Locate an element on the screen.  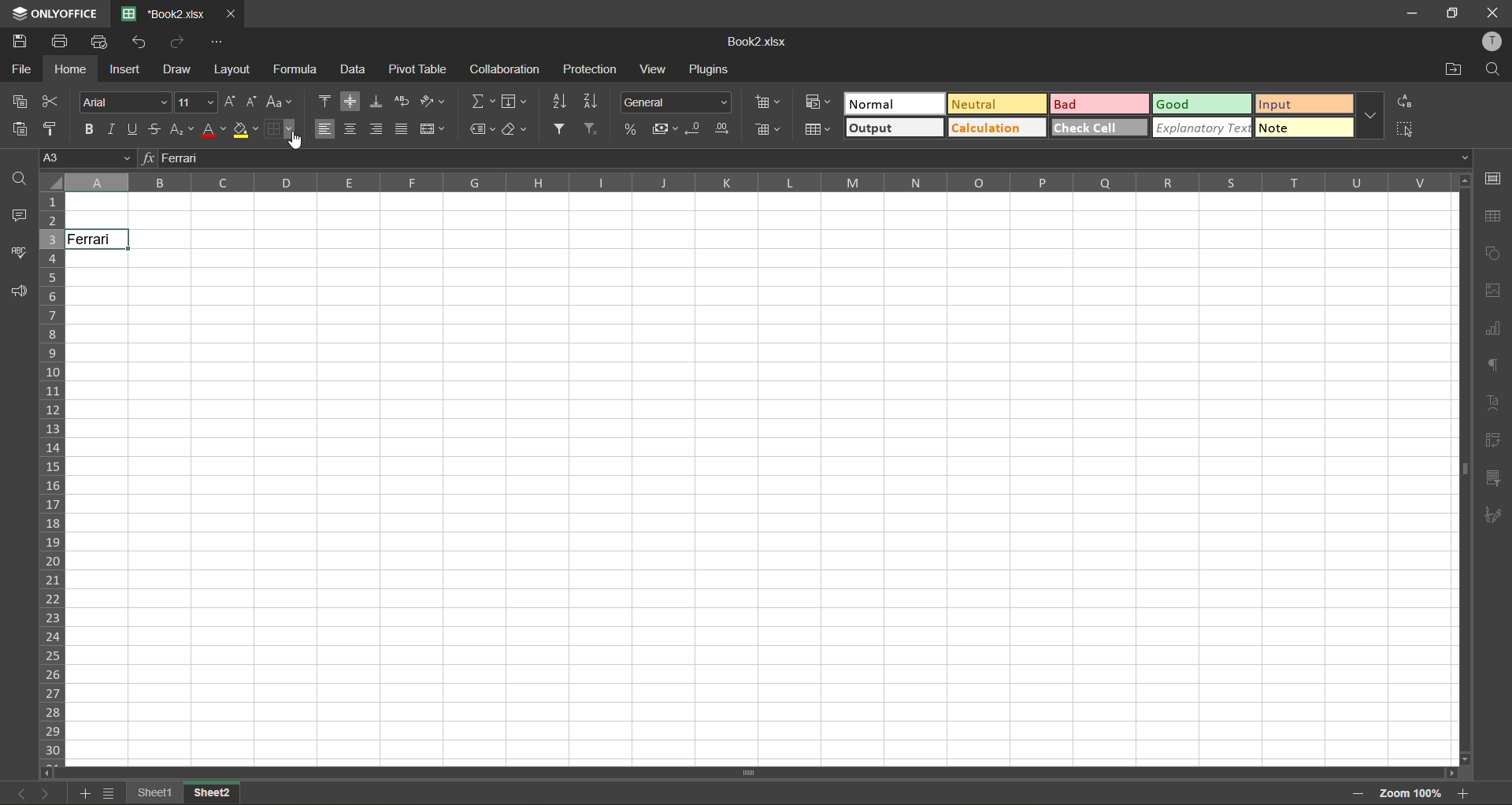
align right is located at coordinates (378, 128).